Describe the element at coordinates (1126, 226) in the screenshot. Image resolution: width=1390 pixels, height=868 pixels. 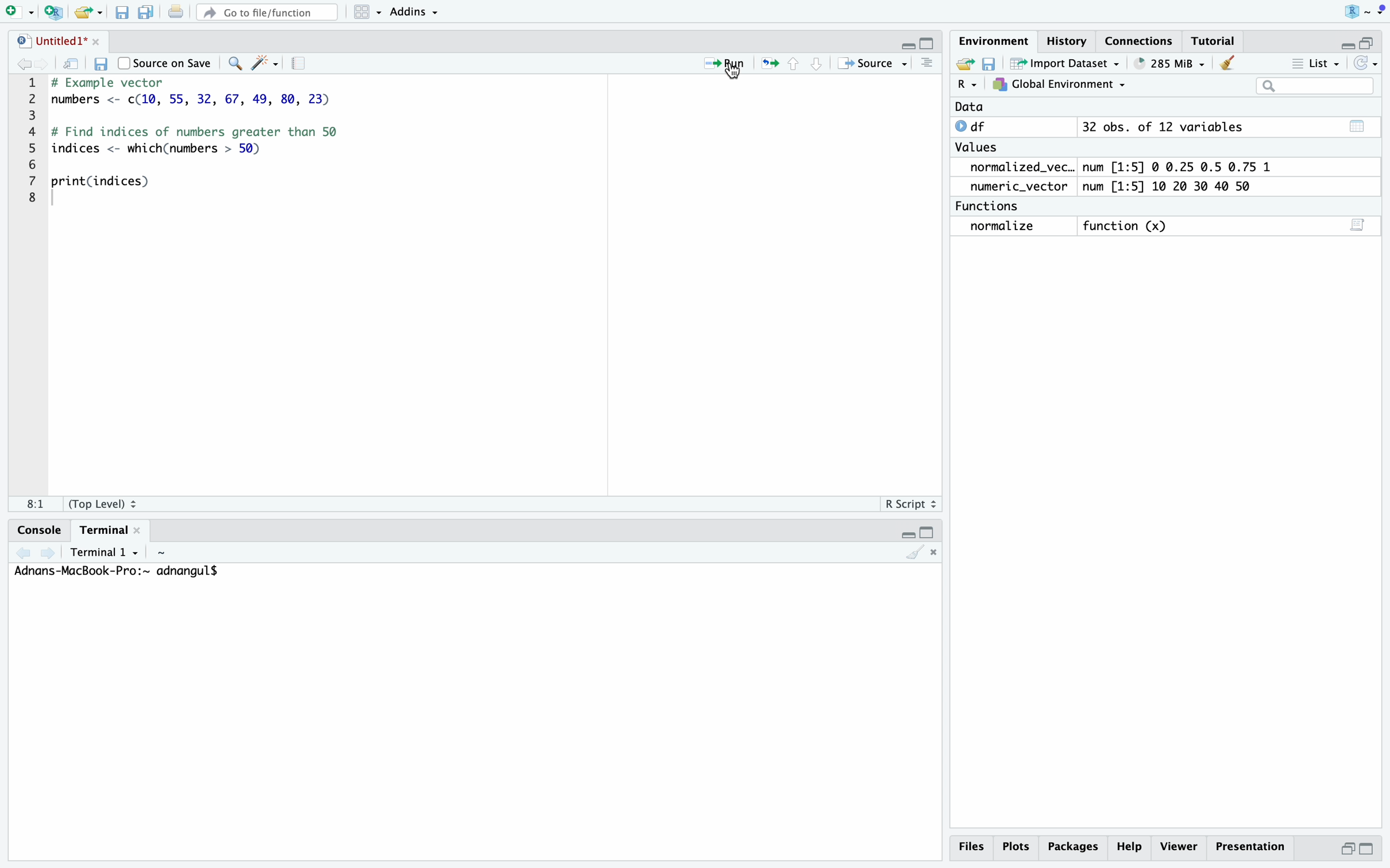
I see `Function (x)` at that location.